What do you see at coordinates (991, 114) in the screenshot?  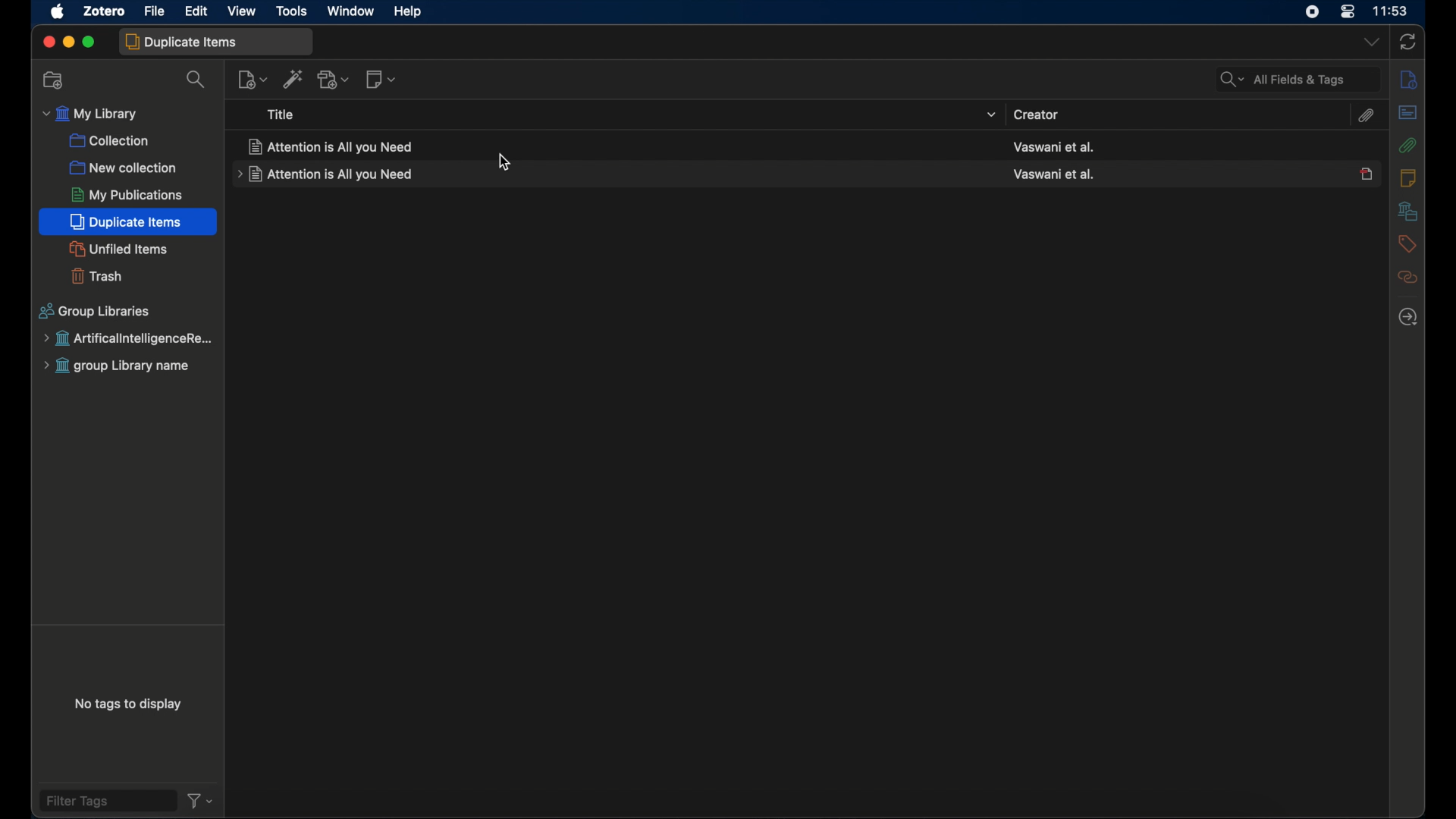 I see `drodown` at bounding box center [991, 114].